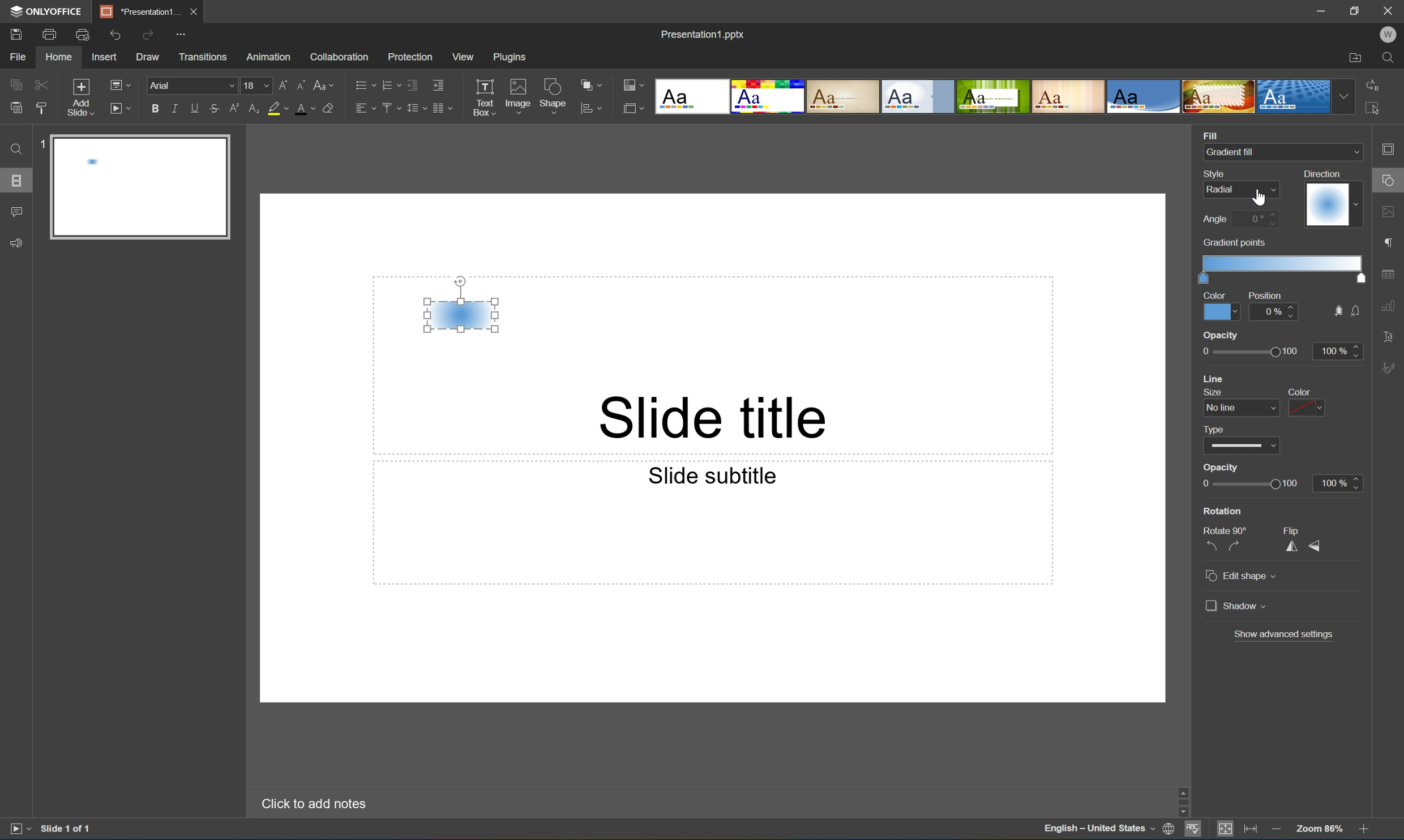 This screenshot has height=840, width=1404. Describe the element at coordinates (1355, 59) in the screenshot. I see `Open file location` at that location.